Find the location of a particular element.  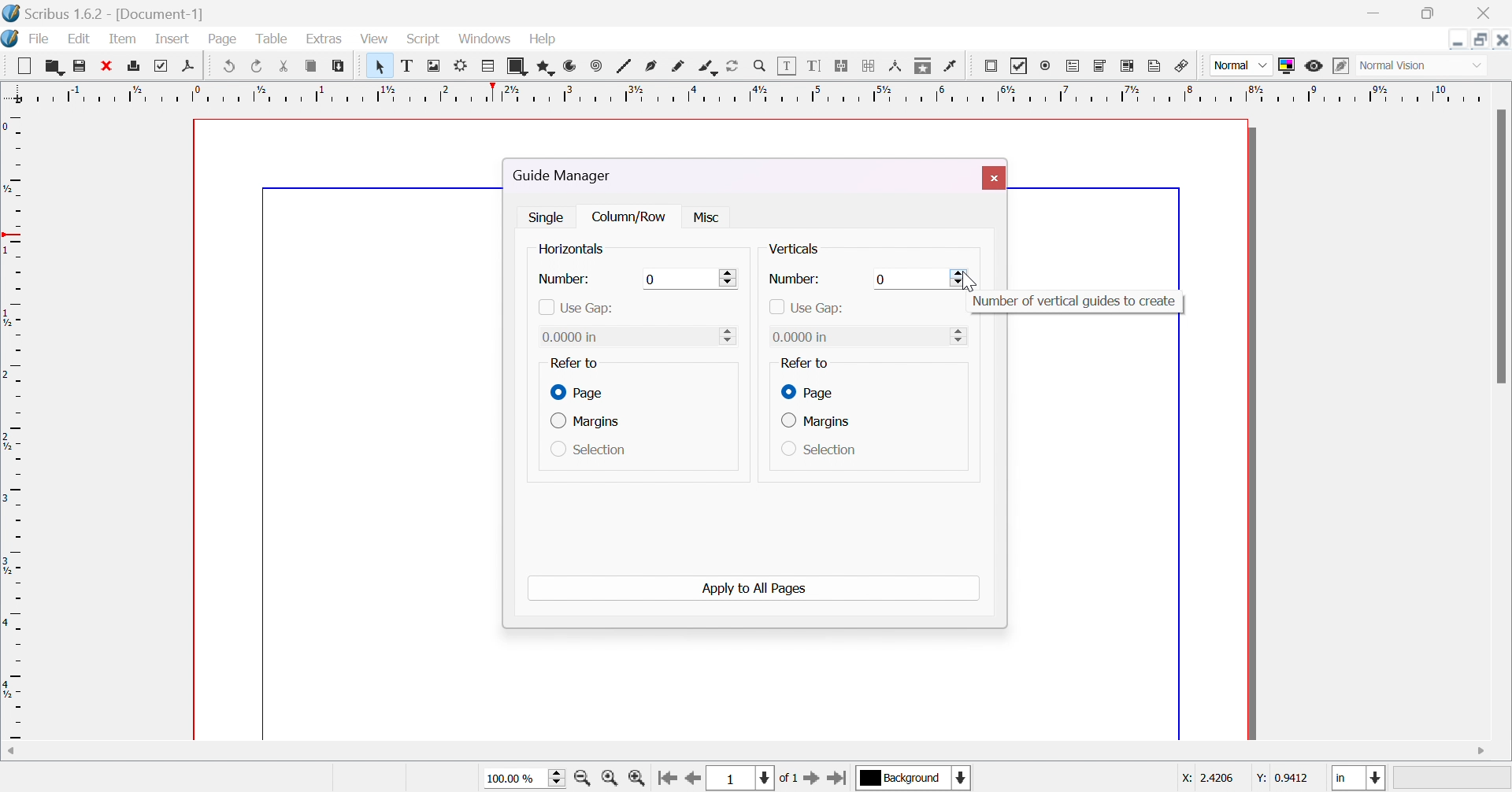

slider is located at coordinates (959, 278).